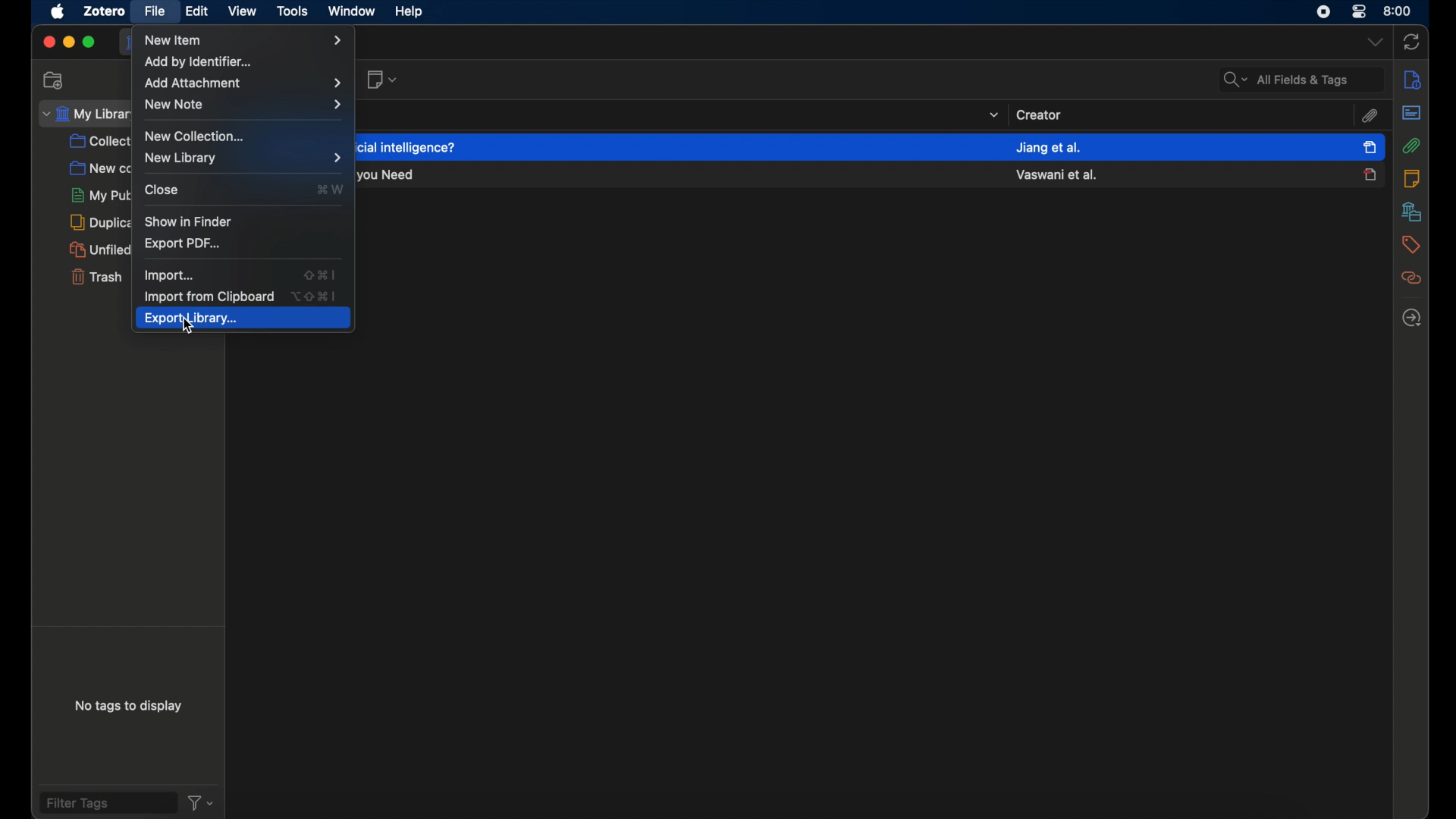 Image resolution: width=1456 pixels, height=819 pixels. What do you see at coordinates (129, 709) in the screenshot?
I see `no tags to display` at bounding box center [129, 709].